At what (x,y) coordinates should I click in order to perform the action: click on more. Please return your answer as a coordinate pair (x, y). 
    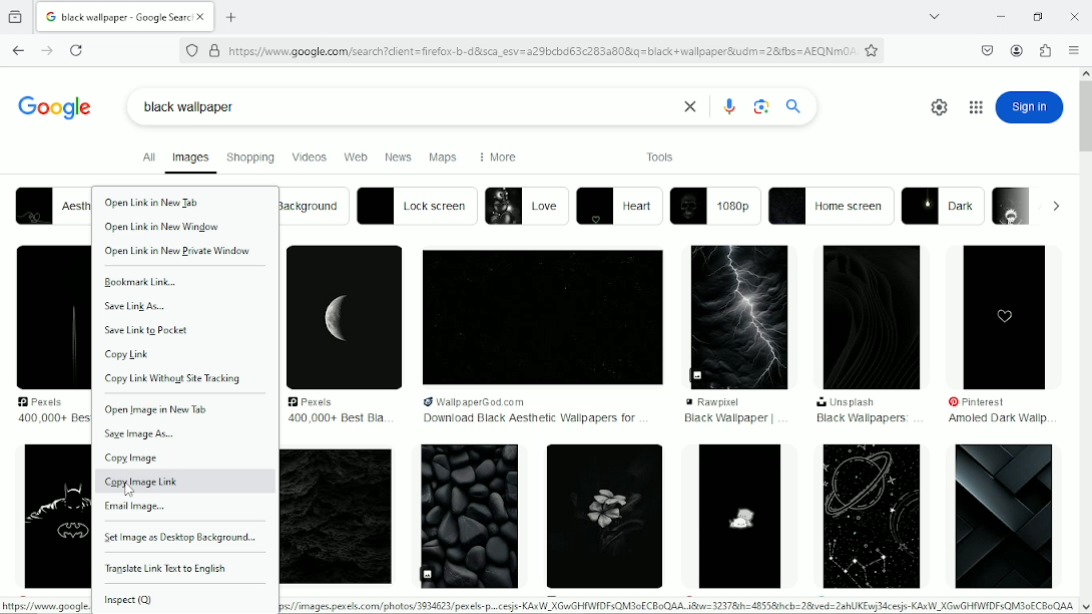
    Looking at the image, I should click on (495, 157).